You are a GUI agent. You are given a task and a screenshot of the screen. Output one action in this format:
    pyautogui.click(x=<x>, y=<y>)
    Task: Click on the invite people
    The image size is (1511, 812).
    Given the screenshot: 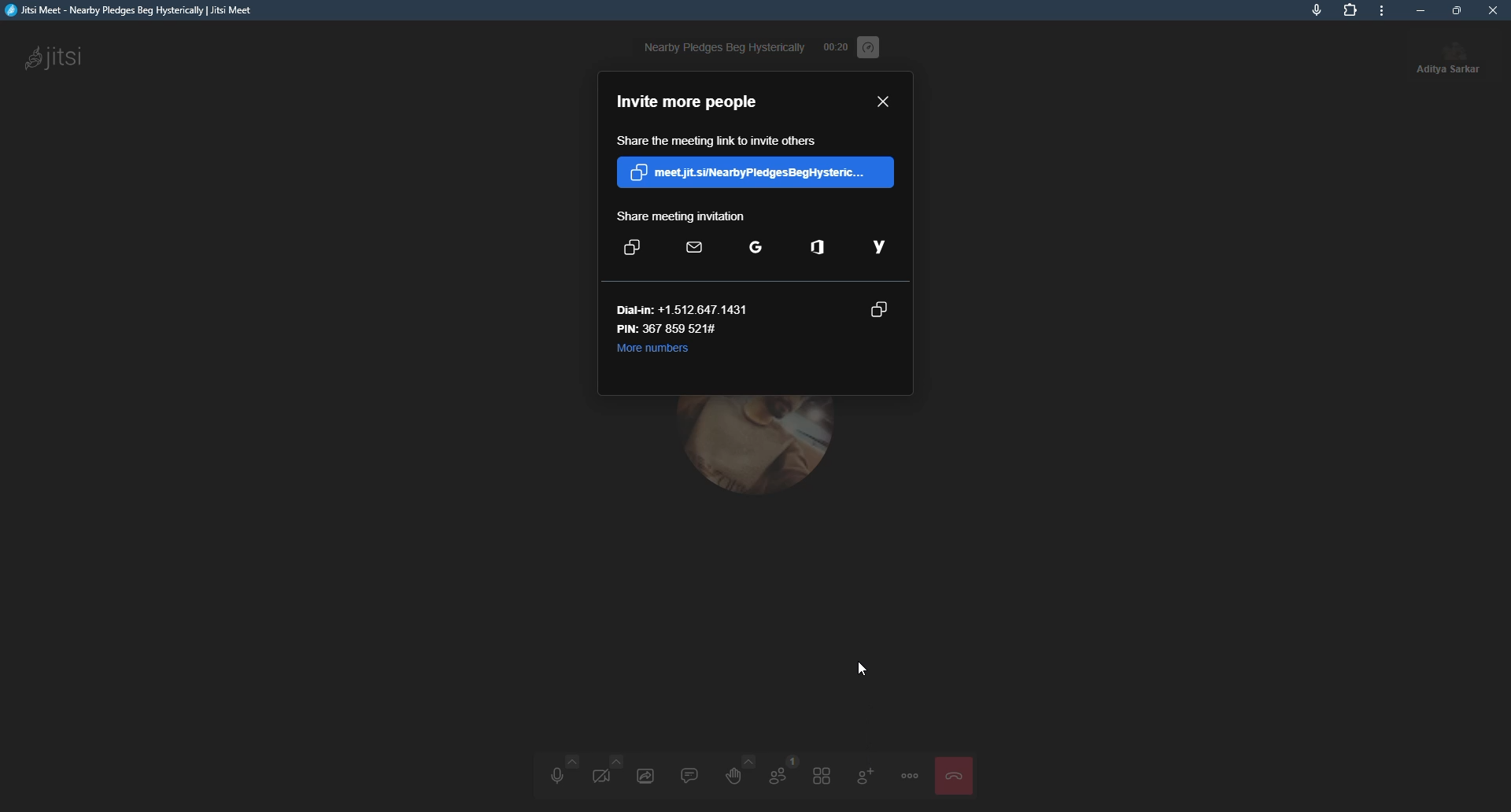 What is the action you would take?
    pyautogui.click(x=863, y=734)
    